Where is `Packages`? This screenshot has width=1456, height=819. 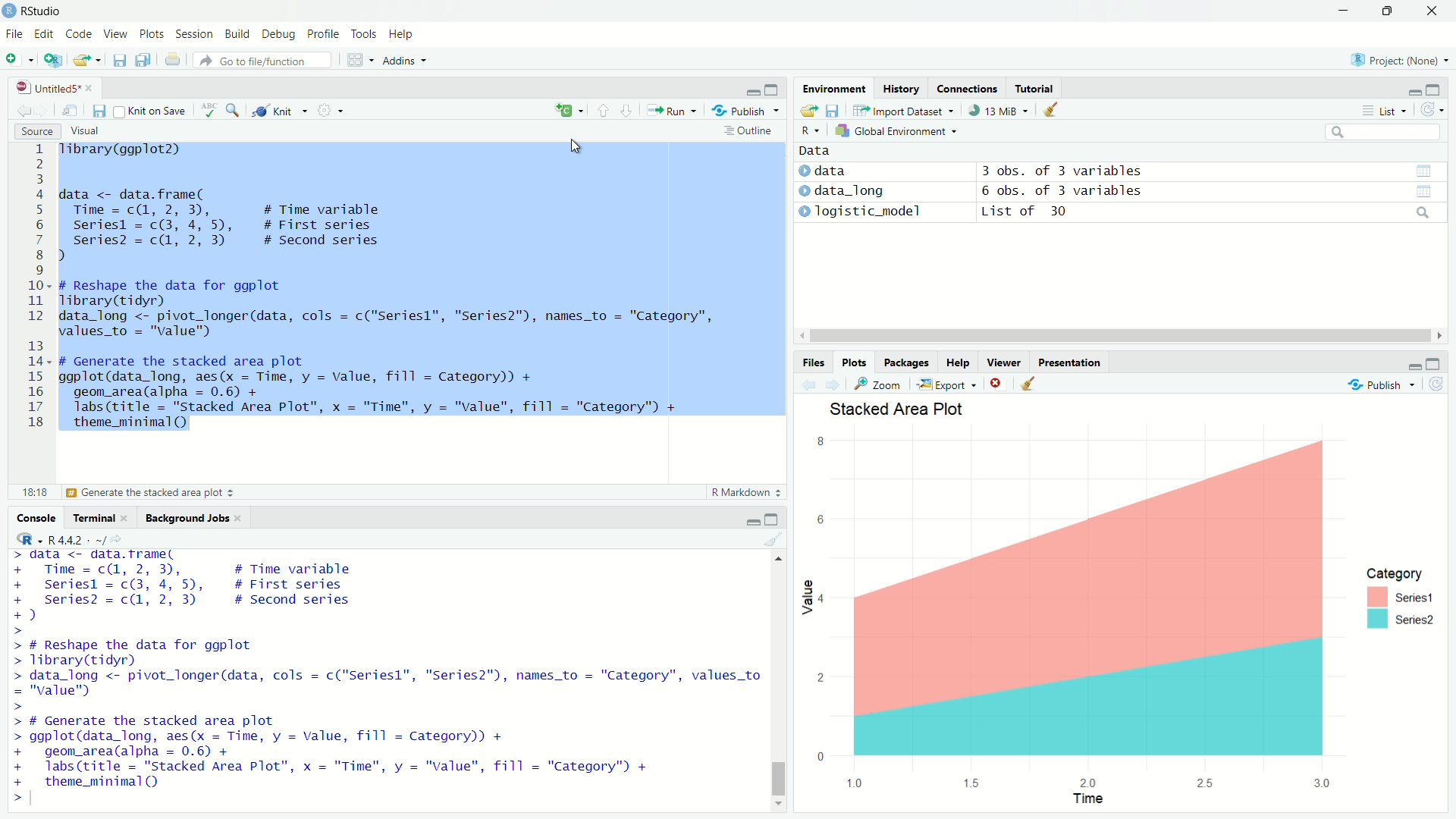
Packages is located at coordinates (907, 363).